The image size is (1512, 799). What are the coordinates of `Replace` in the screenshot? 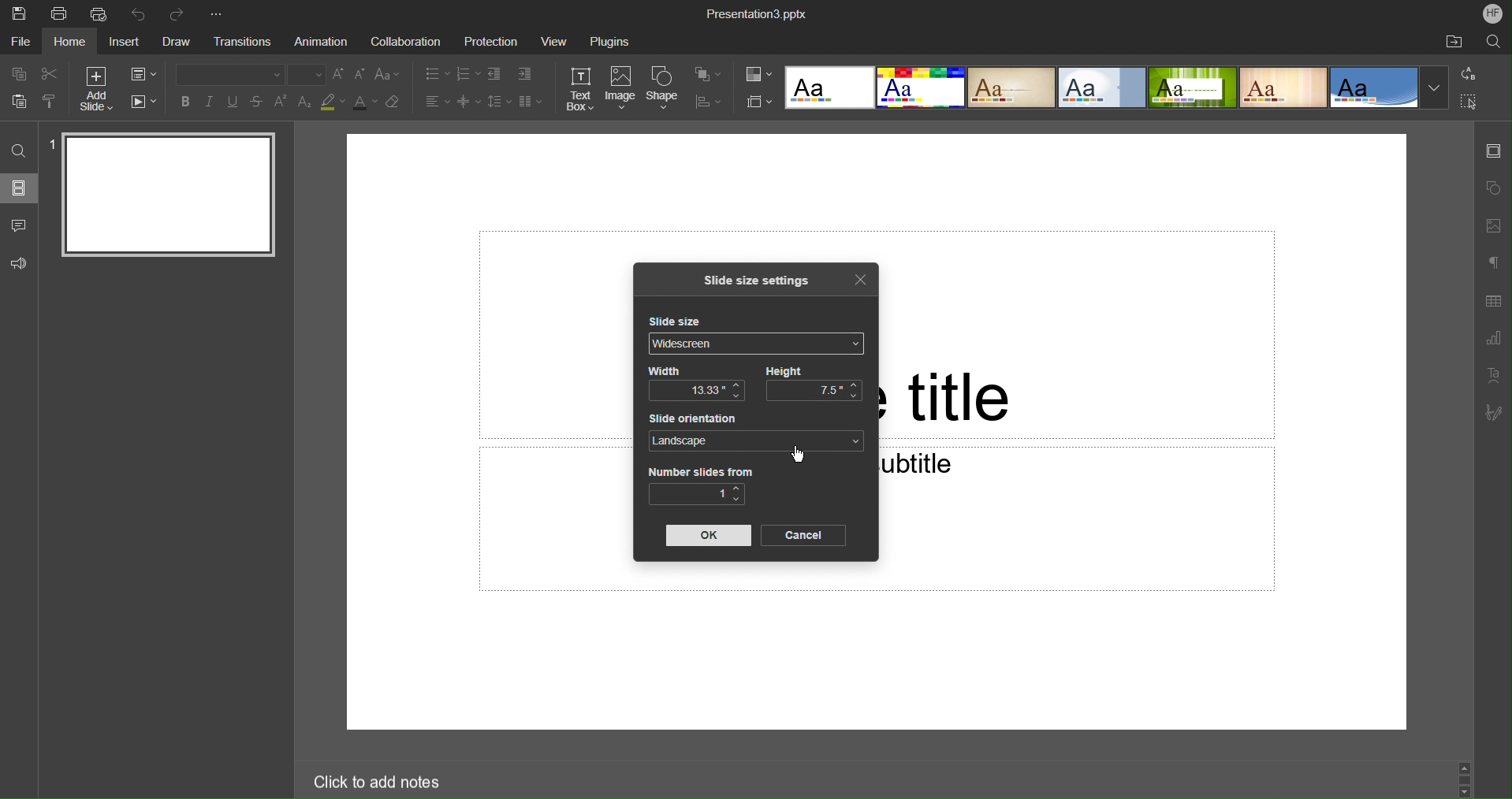 It's located at (1469, 73).